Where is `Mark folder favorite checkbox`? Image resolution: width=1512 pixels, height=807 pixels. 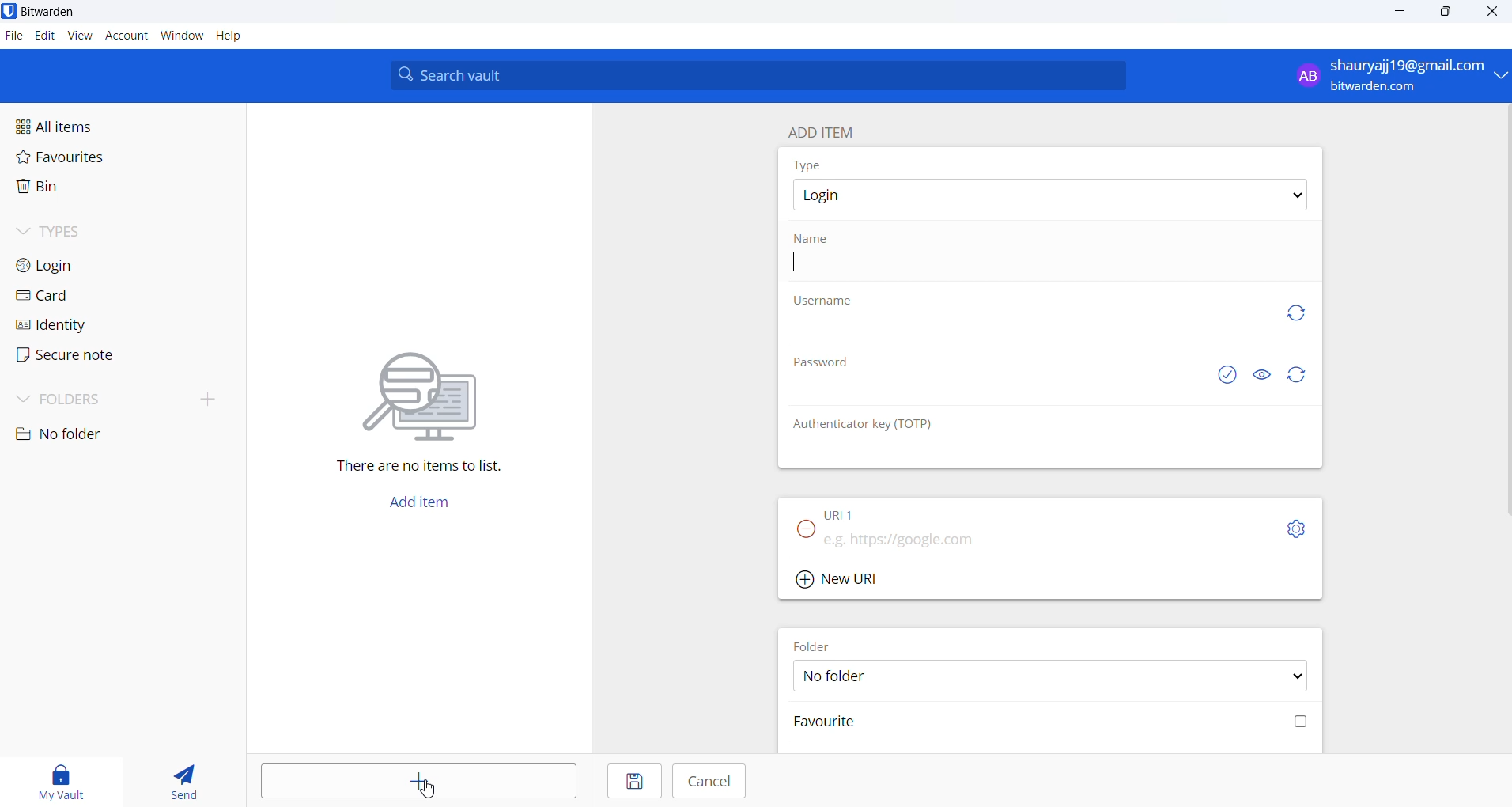 Mark folder favorite checkbox is located at coordinates (1048, 723).